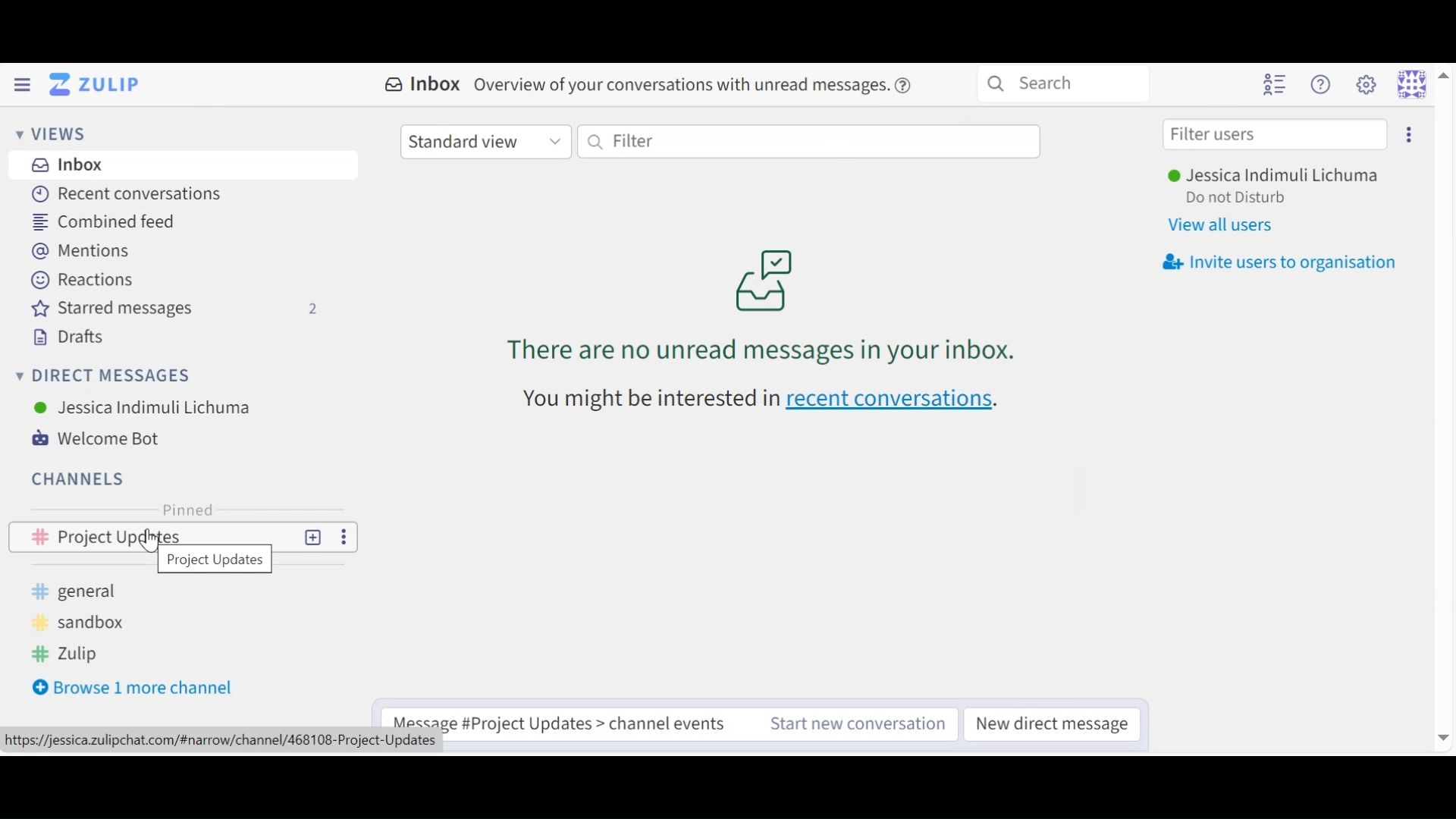  What do you see at coordinates (228, 738) in the screenshot?
I see `URL` at bounding box center [228, 738].